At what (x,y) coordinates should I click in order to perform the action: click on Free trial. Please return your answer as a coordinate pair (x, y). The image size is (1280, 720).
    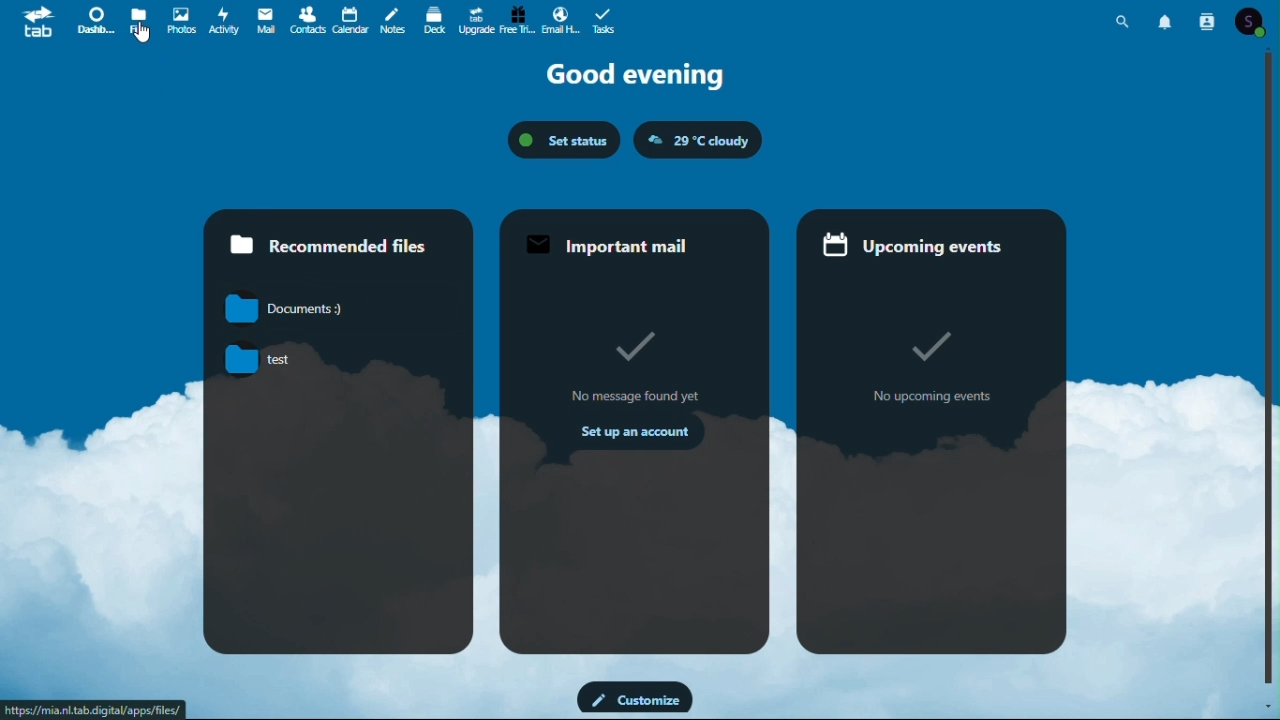
    Looking at the image, I should click on (519, 17).